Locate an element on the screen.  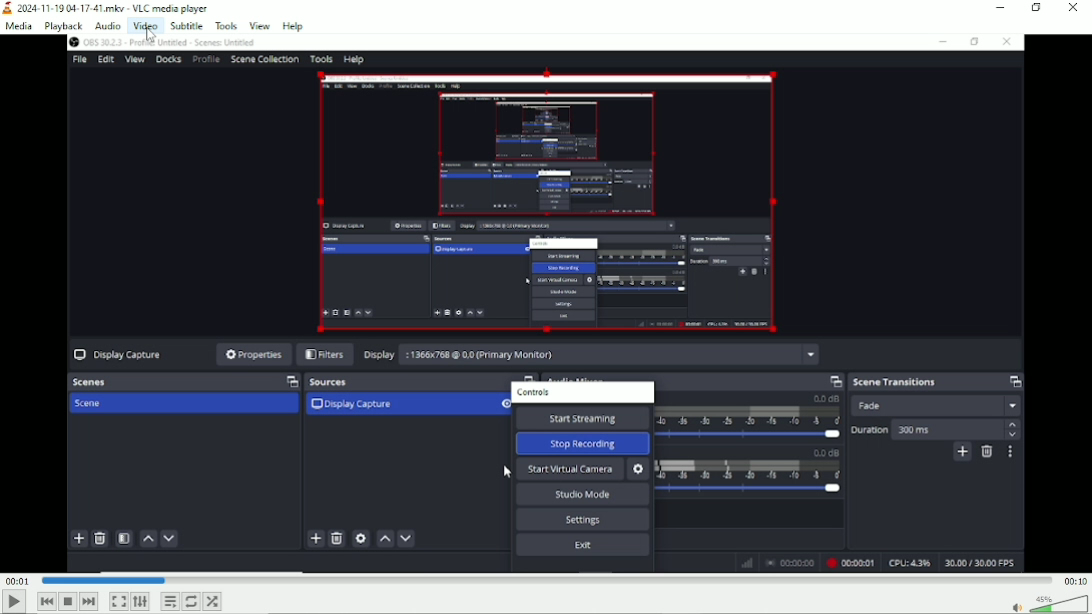
previous is located at coordinates (46, 602).